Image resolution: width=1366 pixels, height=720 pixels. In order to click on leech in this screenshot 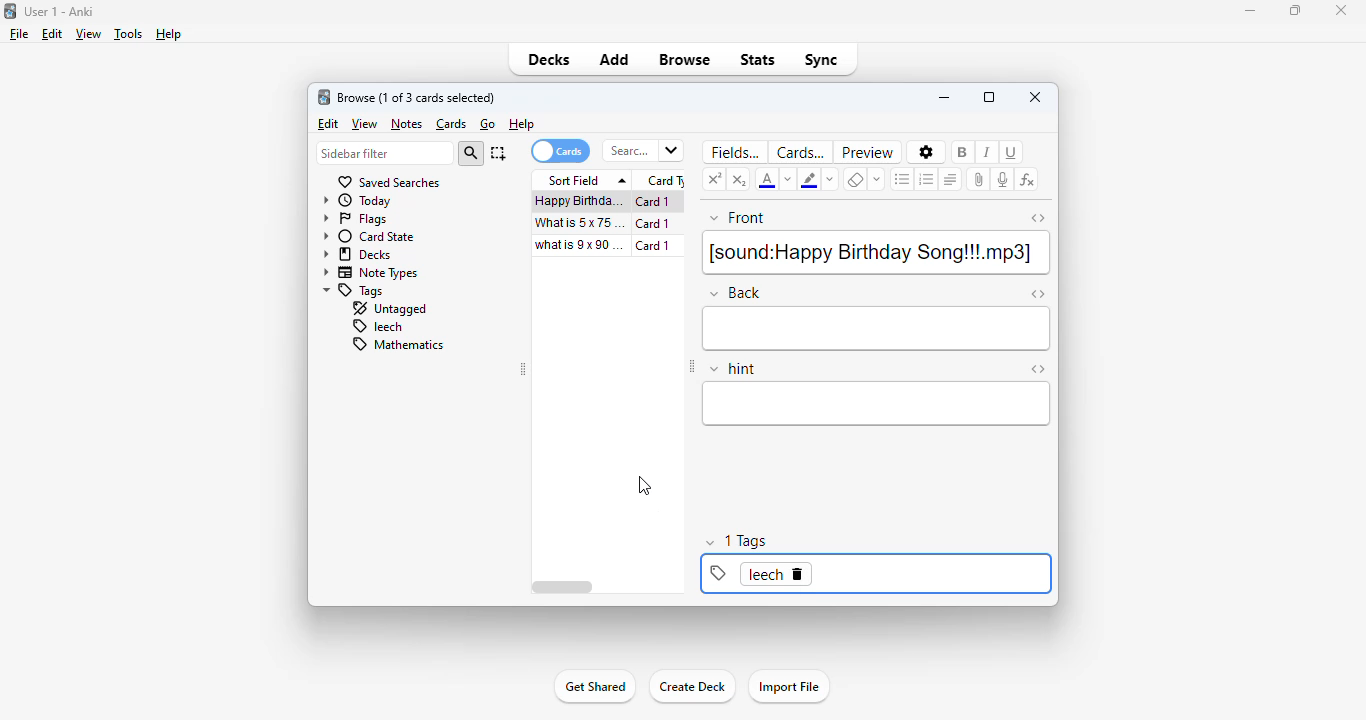, I will do `click(376, 327)`.